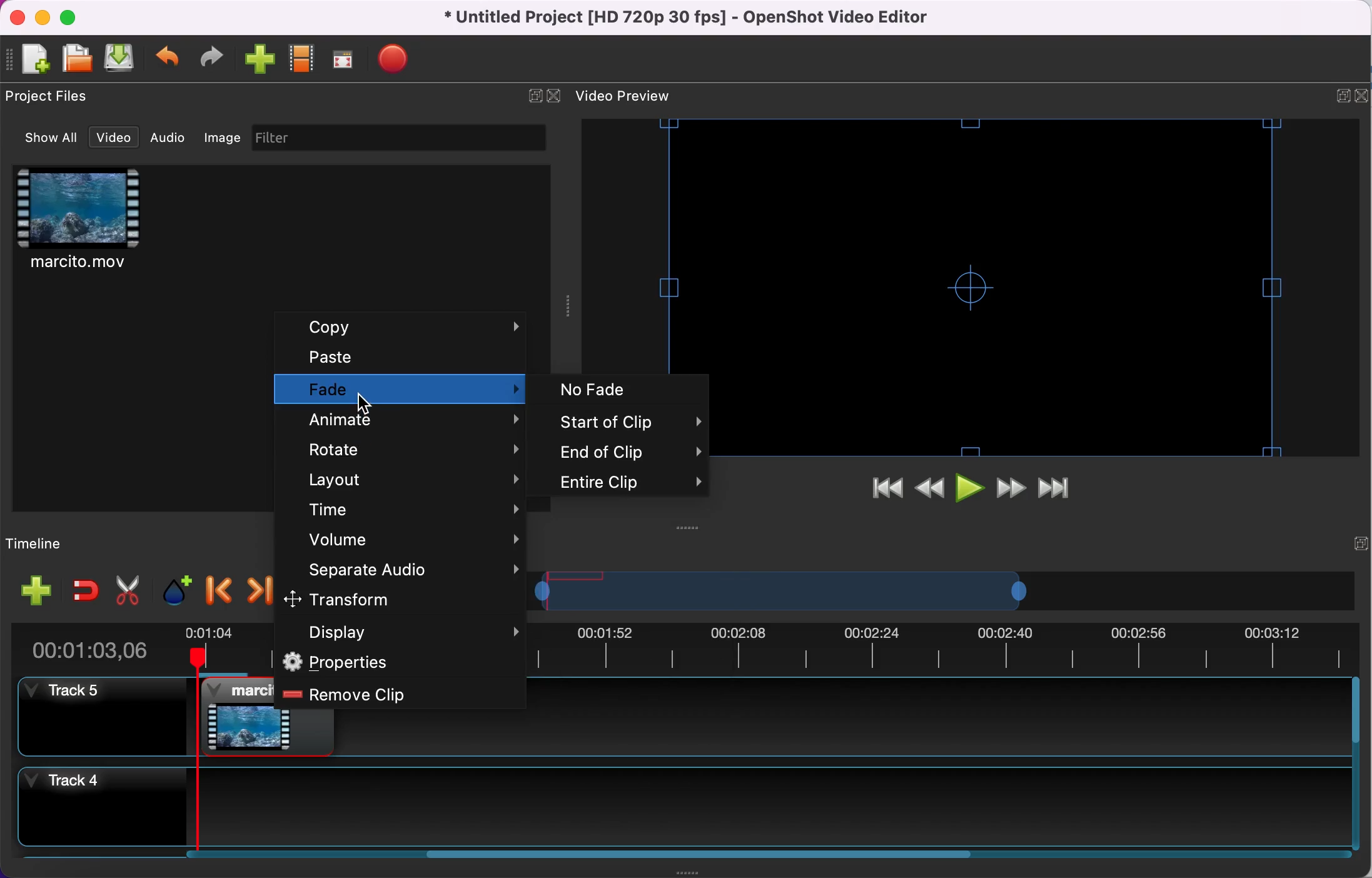 The width and height of the screenshot is (1372, 878). Describe the element at coordinates (217, 587) in the screenshot. I see `previous marker` at that location.